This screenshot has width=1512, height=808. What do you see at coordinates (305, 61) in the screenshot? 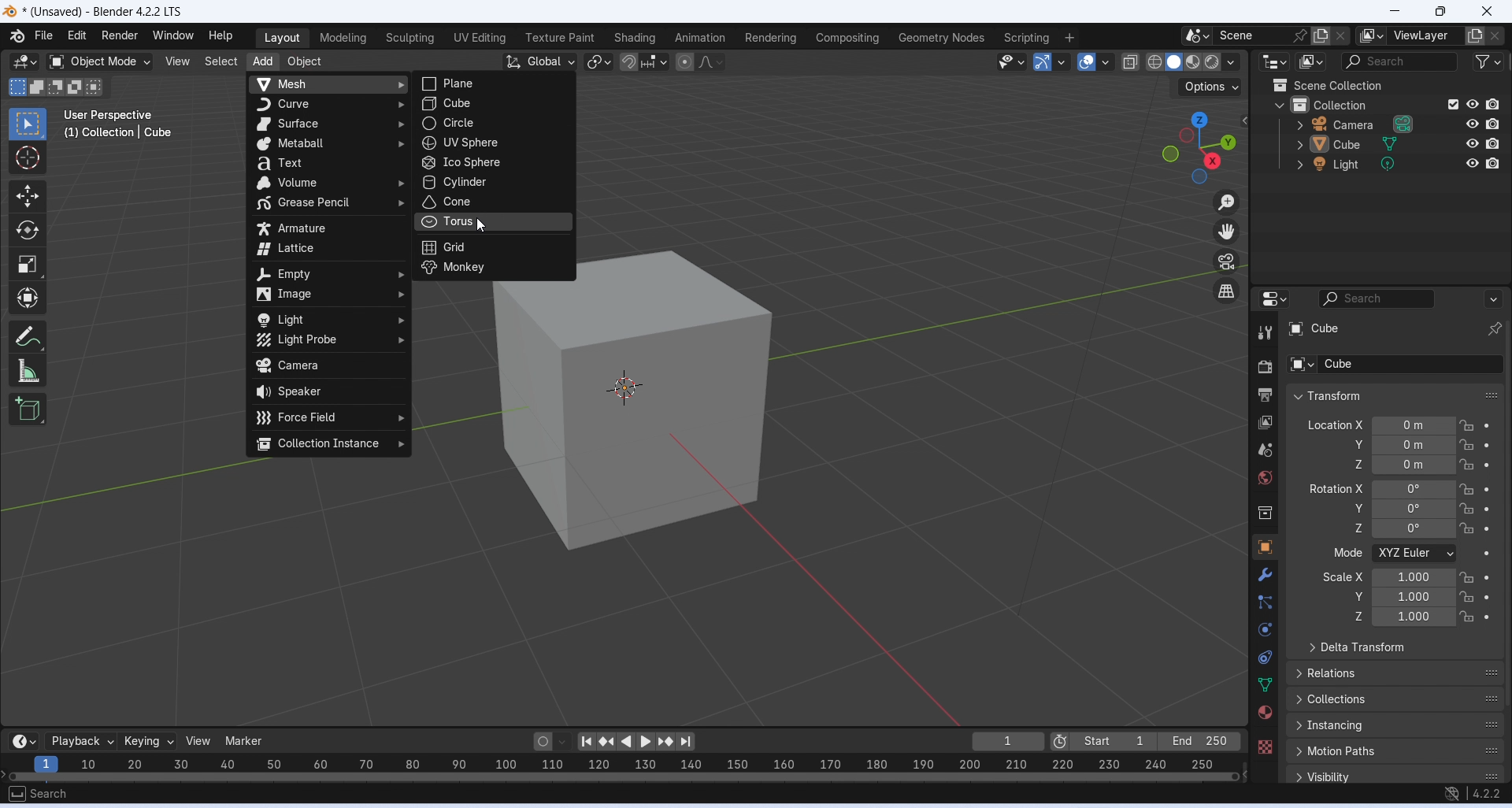
I see `Object` at bounding box center [305, 61].